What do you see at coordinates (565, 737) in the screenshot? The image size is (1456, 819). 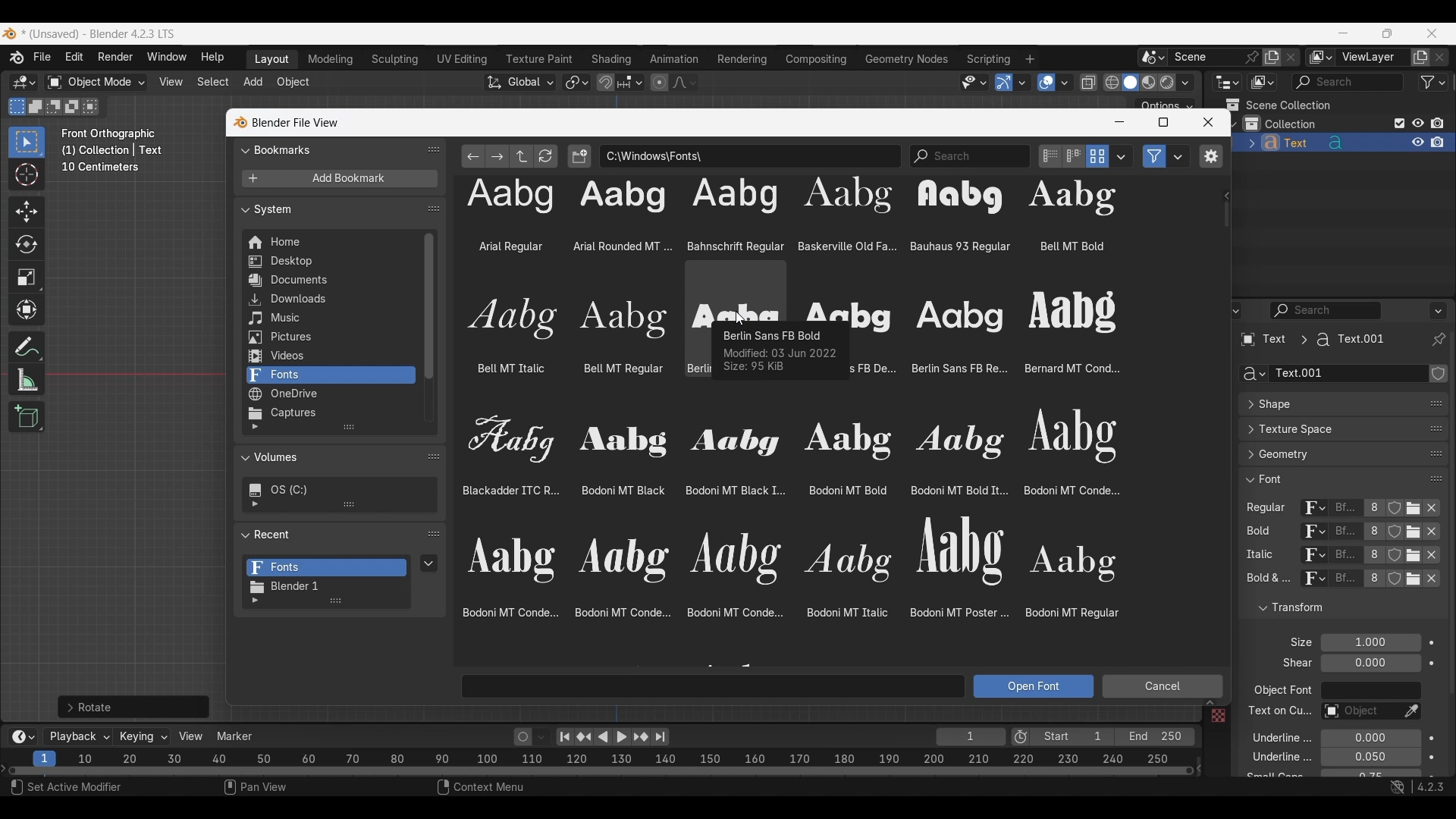 I see `Jump to endpoint` at bounding box center [565, 737].